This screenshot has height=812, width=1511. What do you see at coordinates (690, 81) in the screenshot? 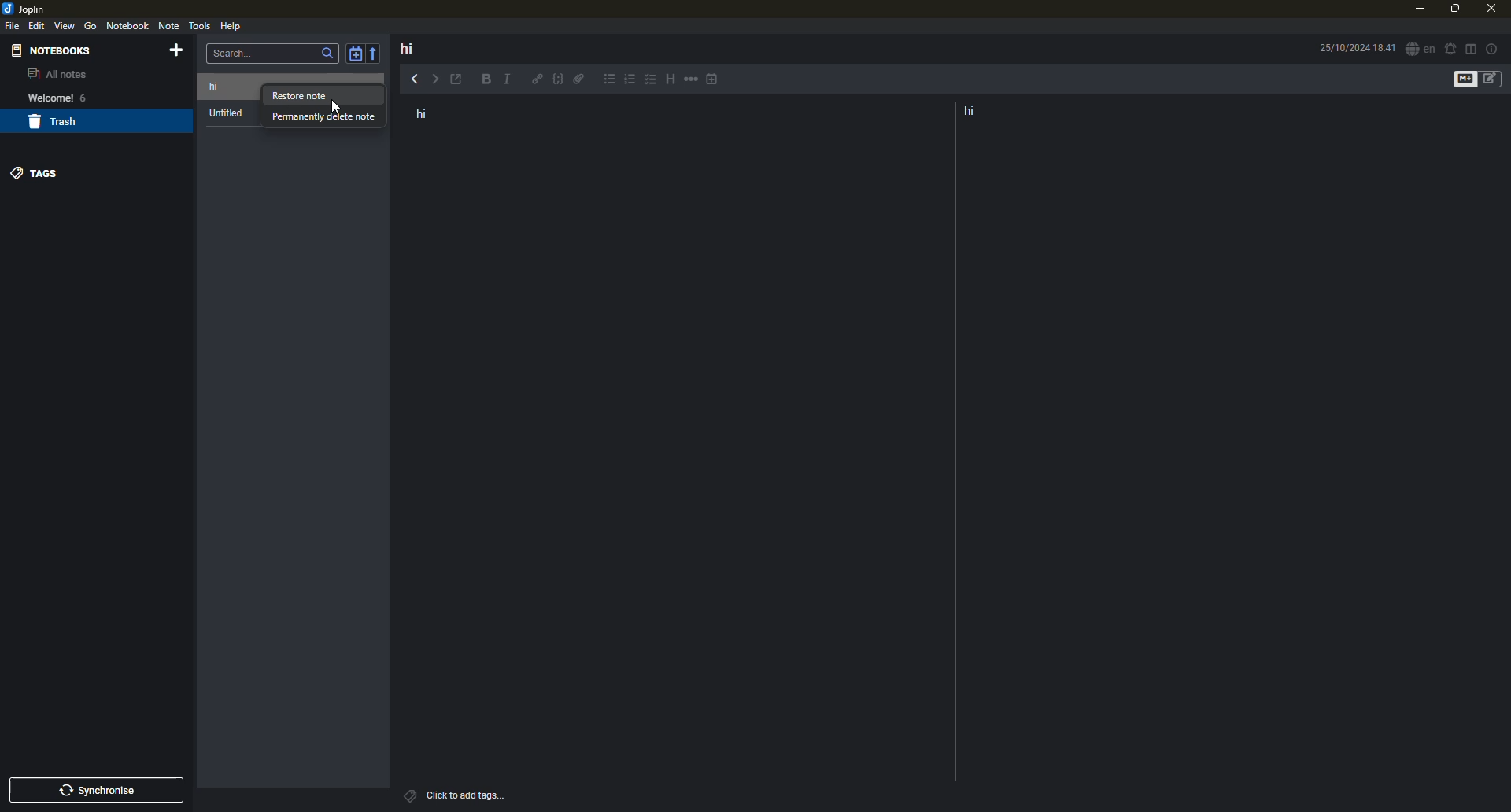
I see `horizontal rule` at bounding box center [690, 81].